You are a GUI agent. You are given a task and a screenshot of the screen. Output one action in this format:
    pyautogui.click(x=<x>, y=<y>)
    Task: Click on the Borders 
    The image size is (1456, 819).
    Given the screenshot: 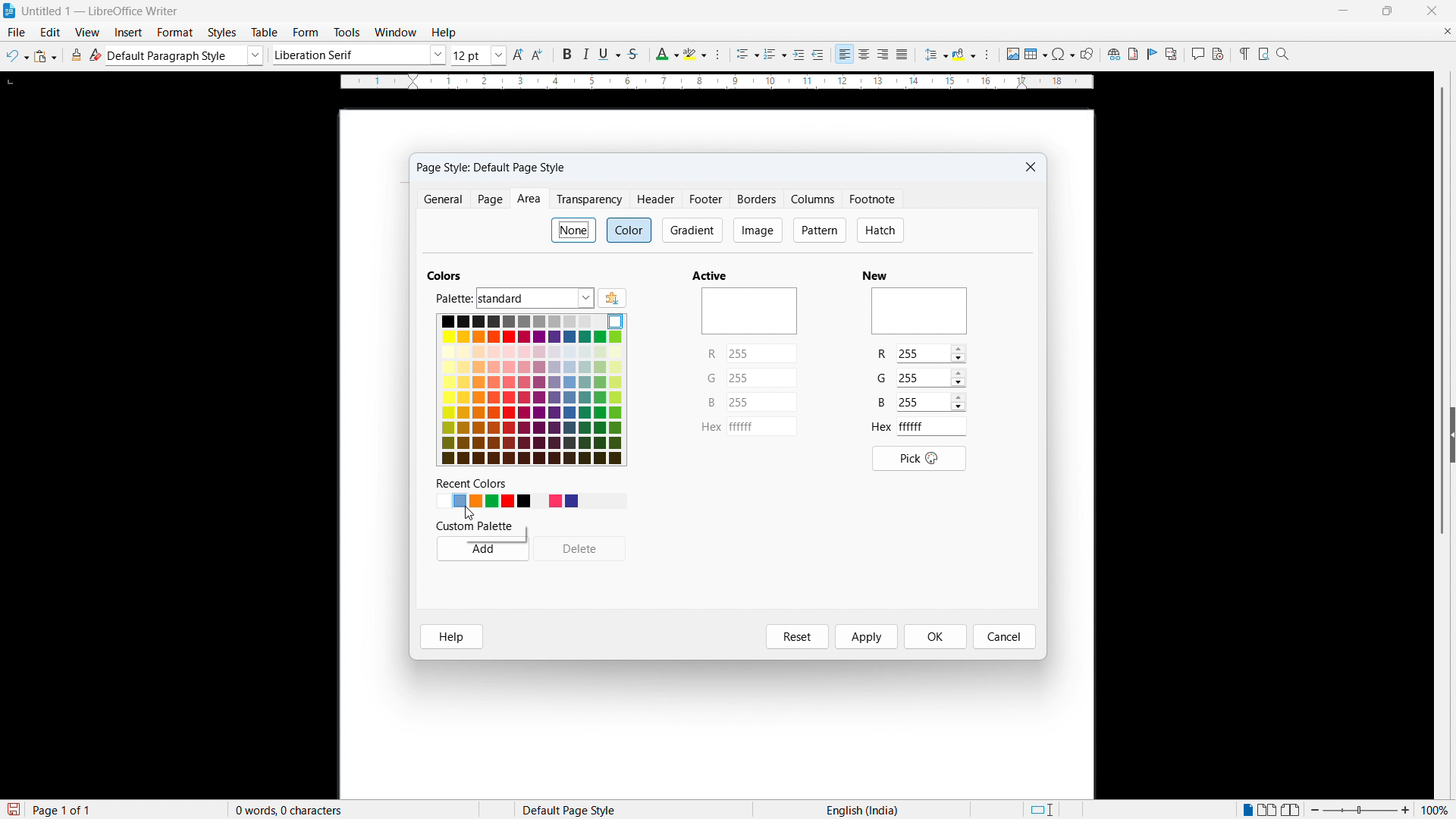 What is the action you would take?
    pyautogui.click(x=758, y=199)
    